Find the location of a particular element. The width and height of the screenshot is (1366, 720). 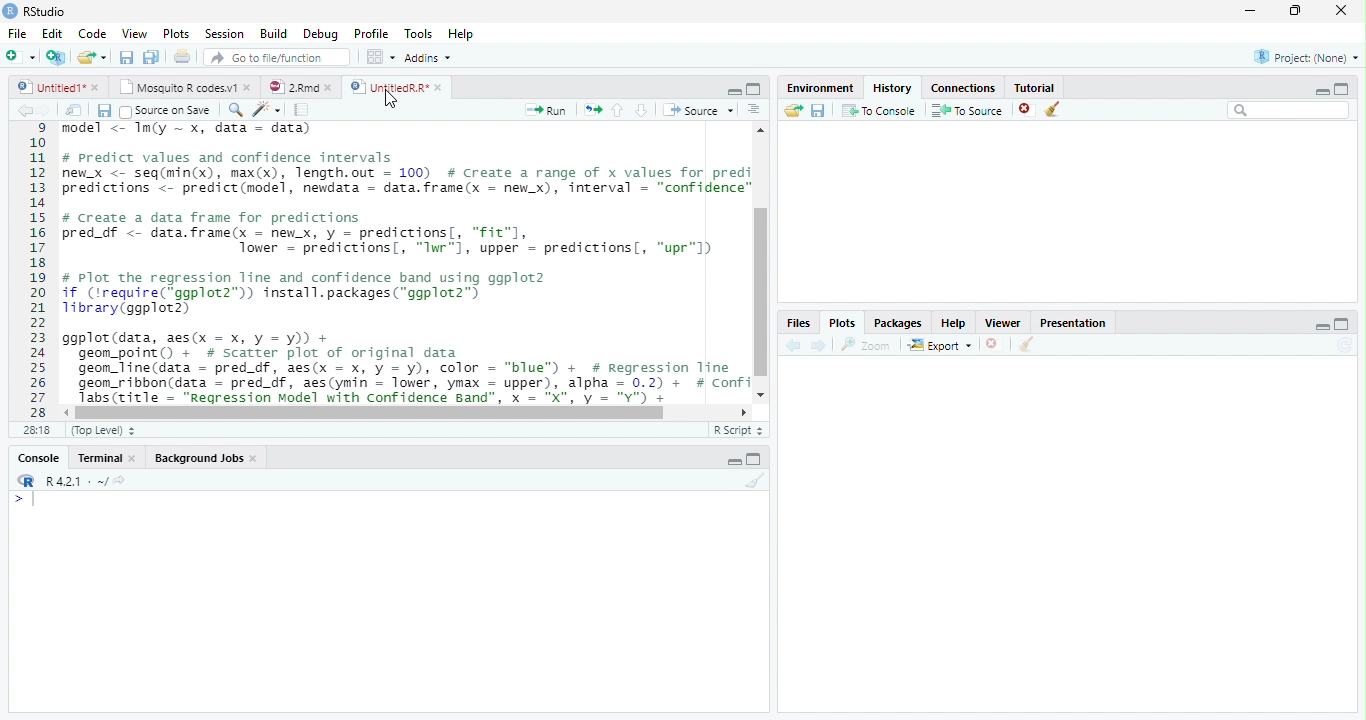

1:1 is located at coordinates (32, 433).